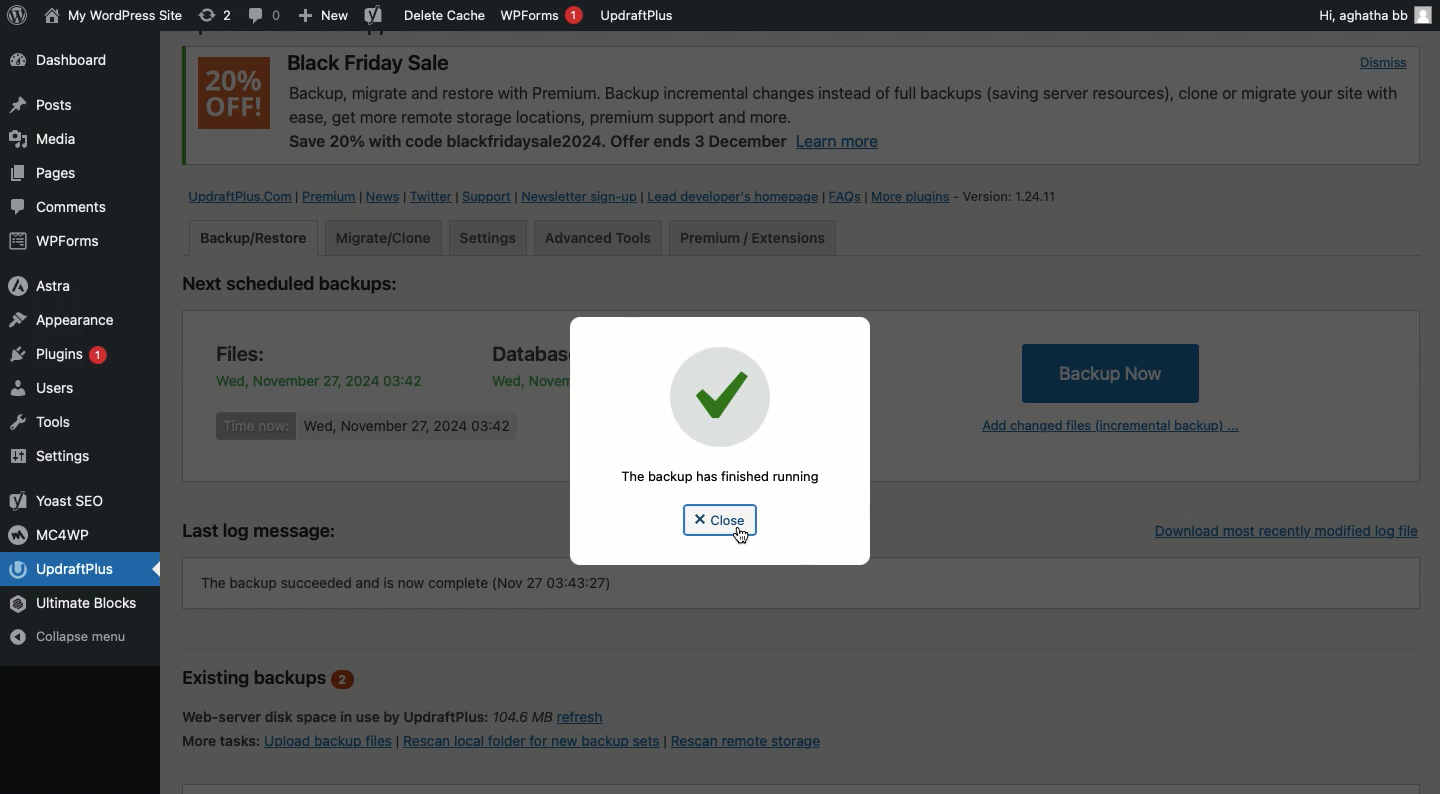  Describe the element at coordinates (1373, 14) in the screenshot. I see `Hi, aghatha bb` at that location.